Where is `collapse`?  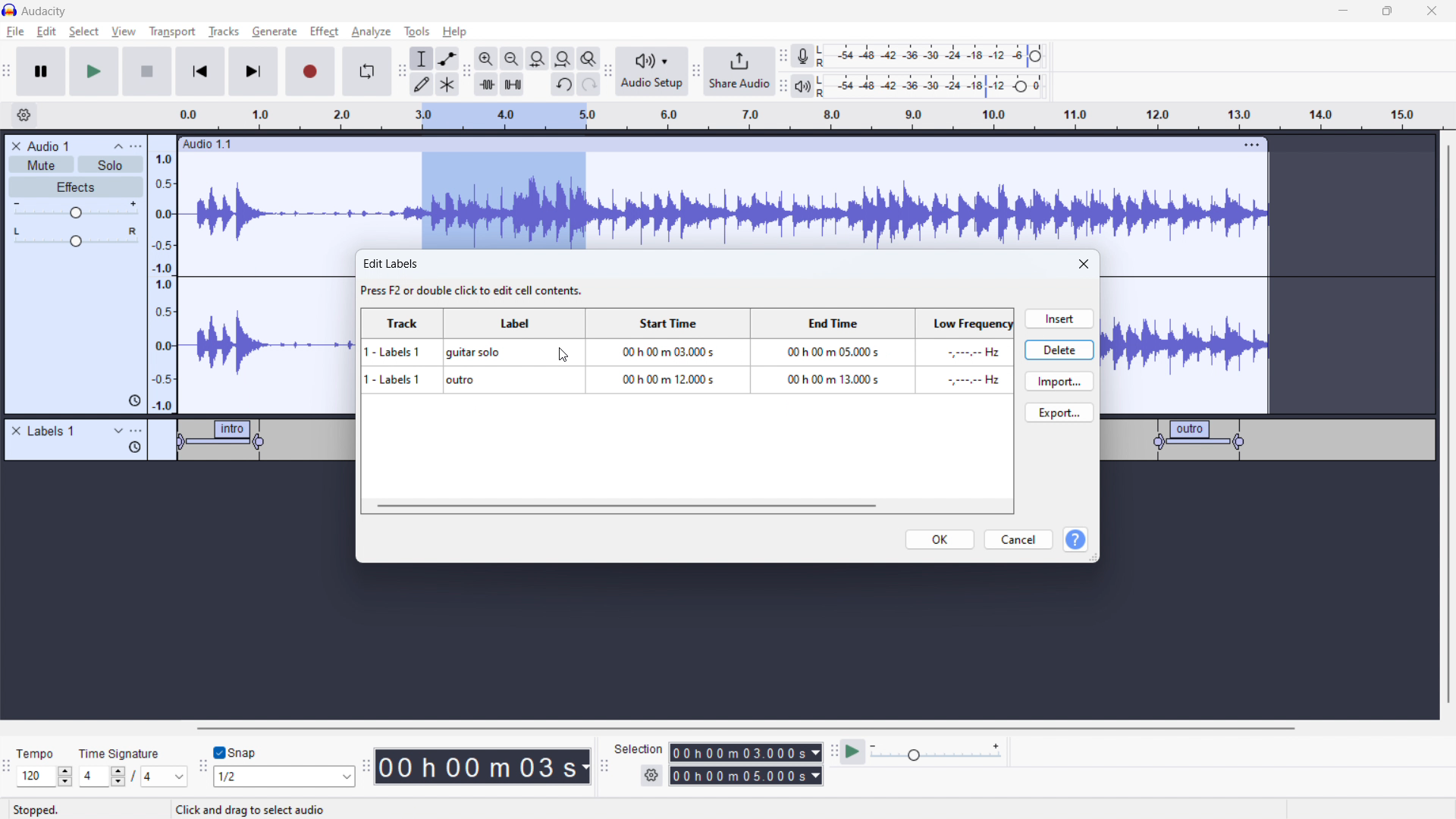
collapse is located at coordinates (118, 146).